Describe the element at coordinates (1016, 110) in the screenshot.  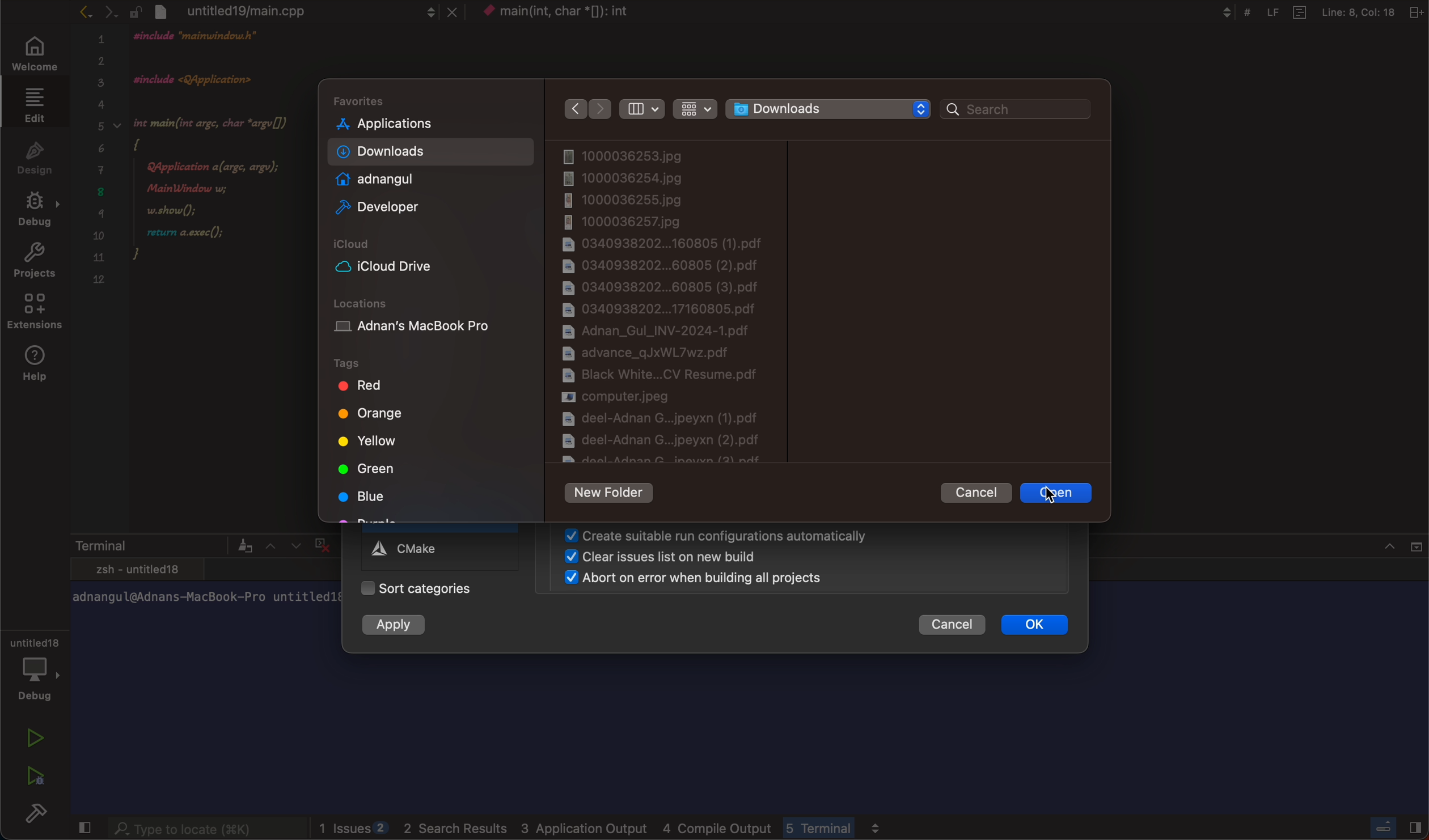
I see `search` at that location.